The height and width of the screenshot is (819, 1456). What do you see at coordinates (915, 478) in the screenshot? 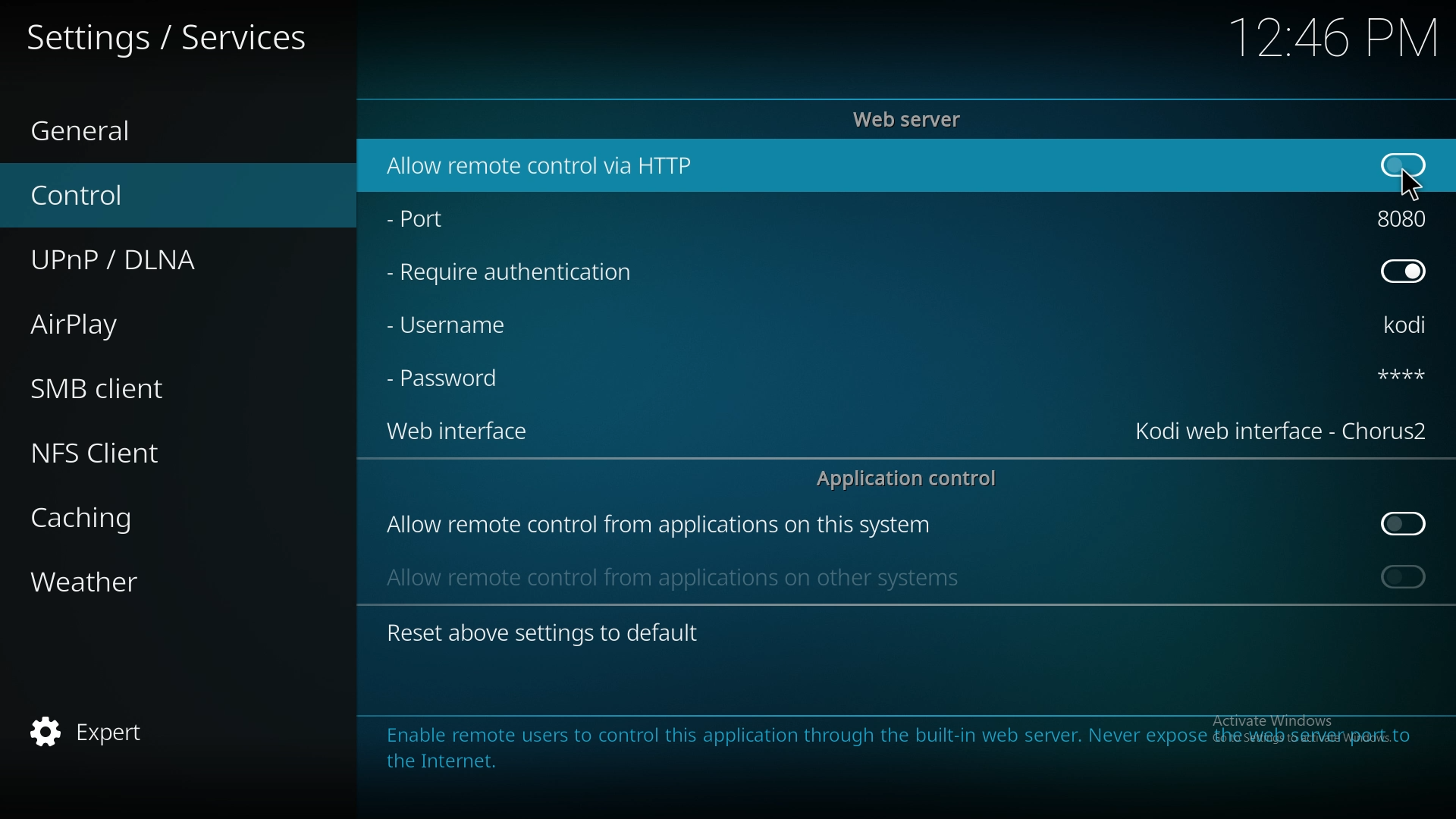
I see `application control` at bounding box center [915, 478].